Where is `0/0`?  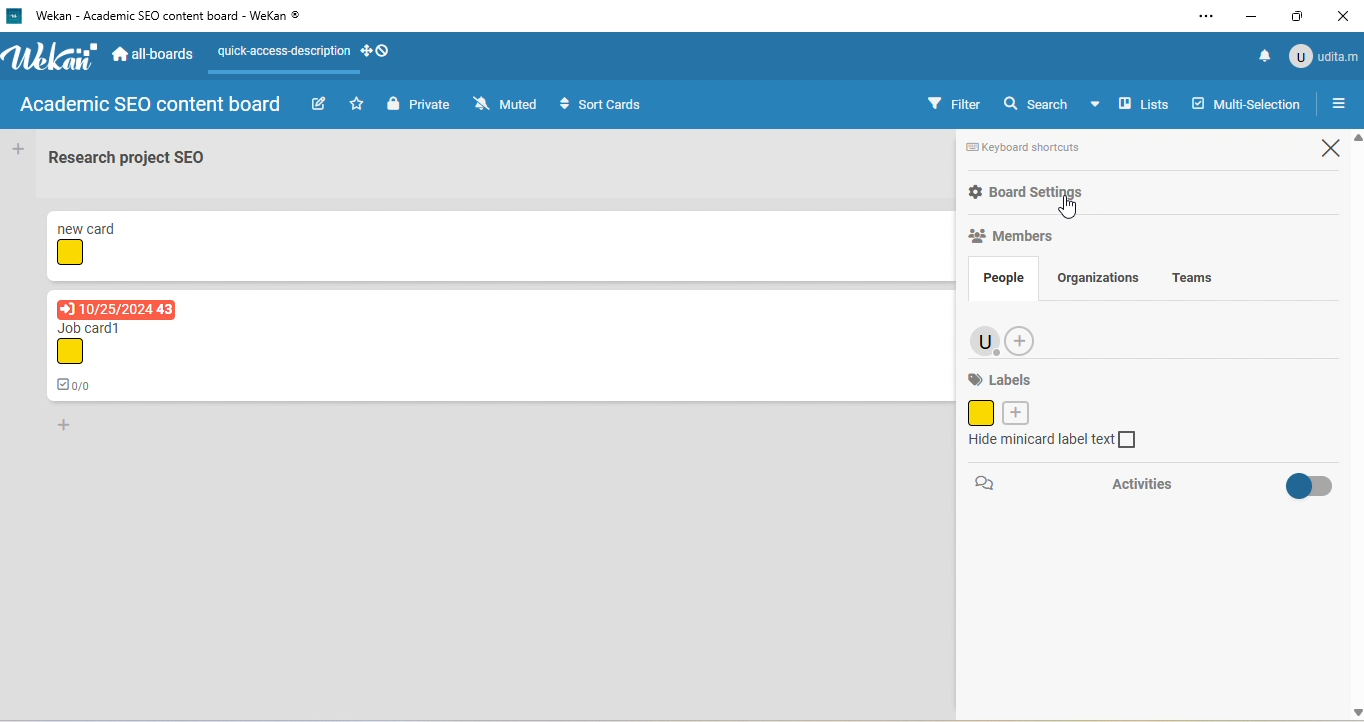
0/0 is located at coordinates (77, 384).